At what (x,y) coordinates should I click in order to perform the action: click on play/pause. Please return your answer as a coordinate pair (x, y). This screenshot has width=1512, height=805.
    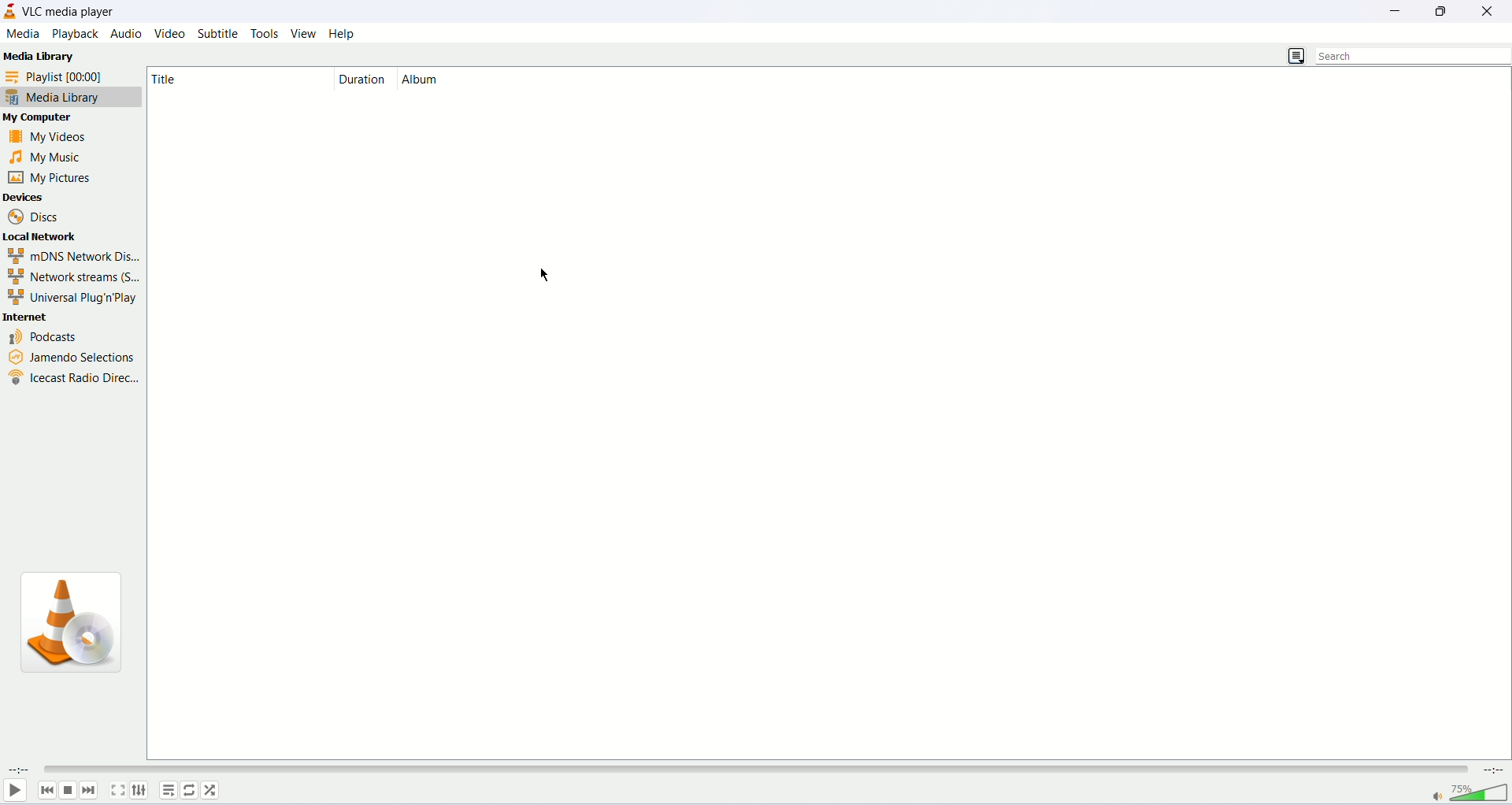
    Looking at the image, I should click on (15, 793).